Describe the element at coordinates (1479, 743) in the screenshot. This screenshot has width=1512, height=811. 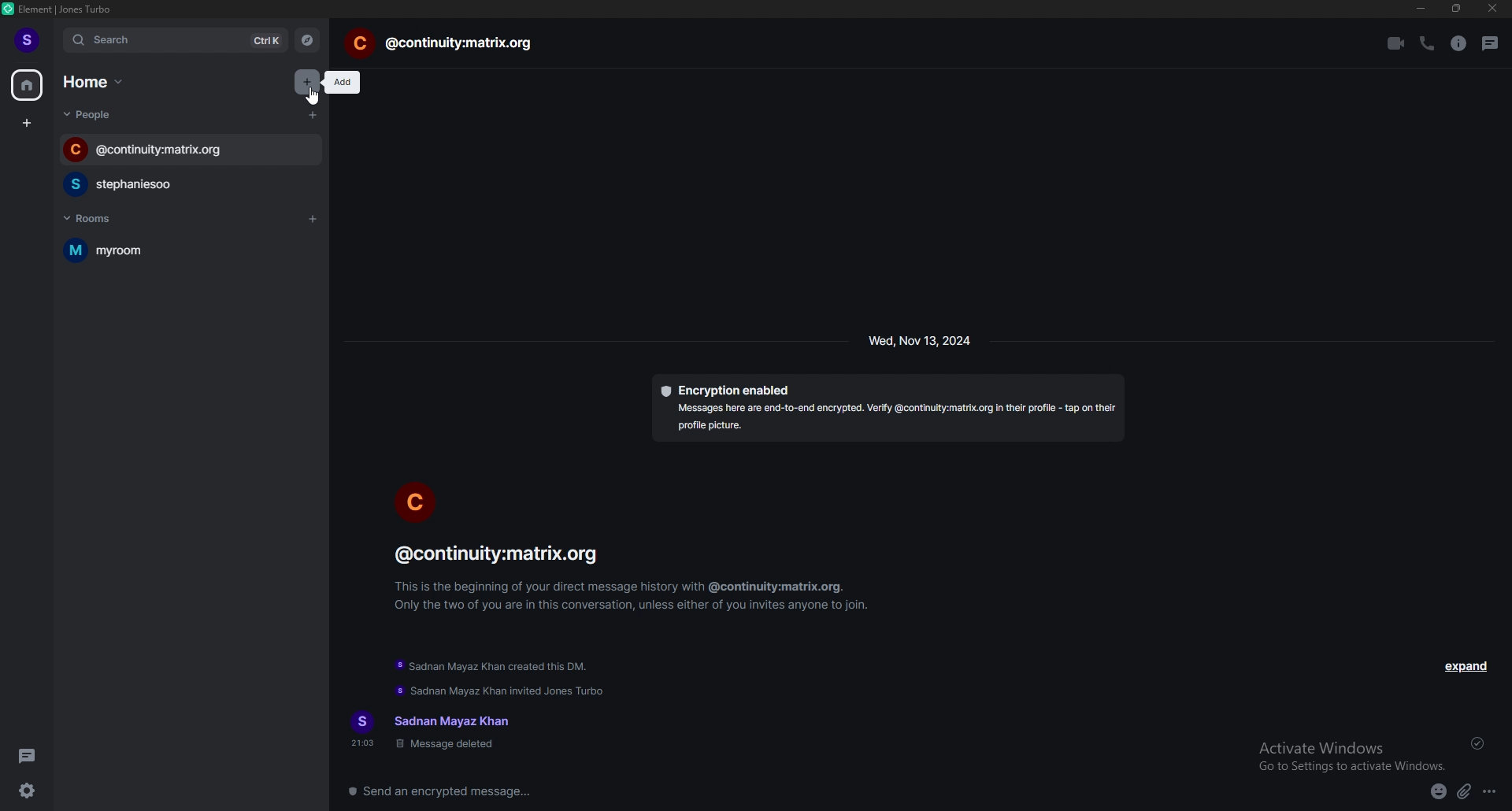
I see `delivered` at that location.